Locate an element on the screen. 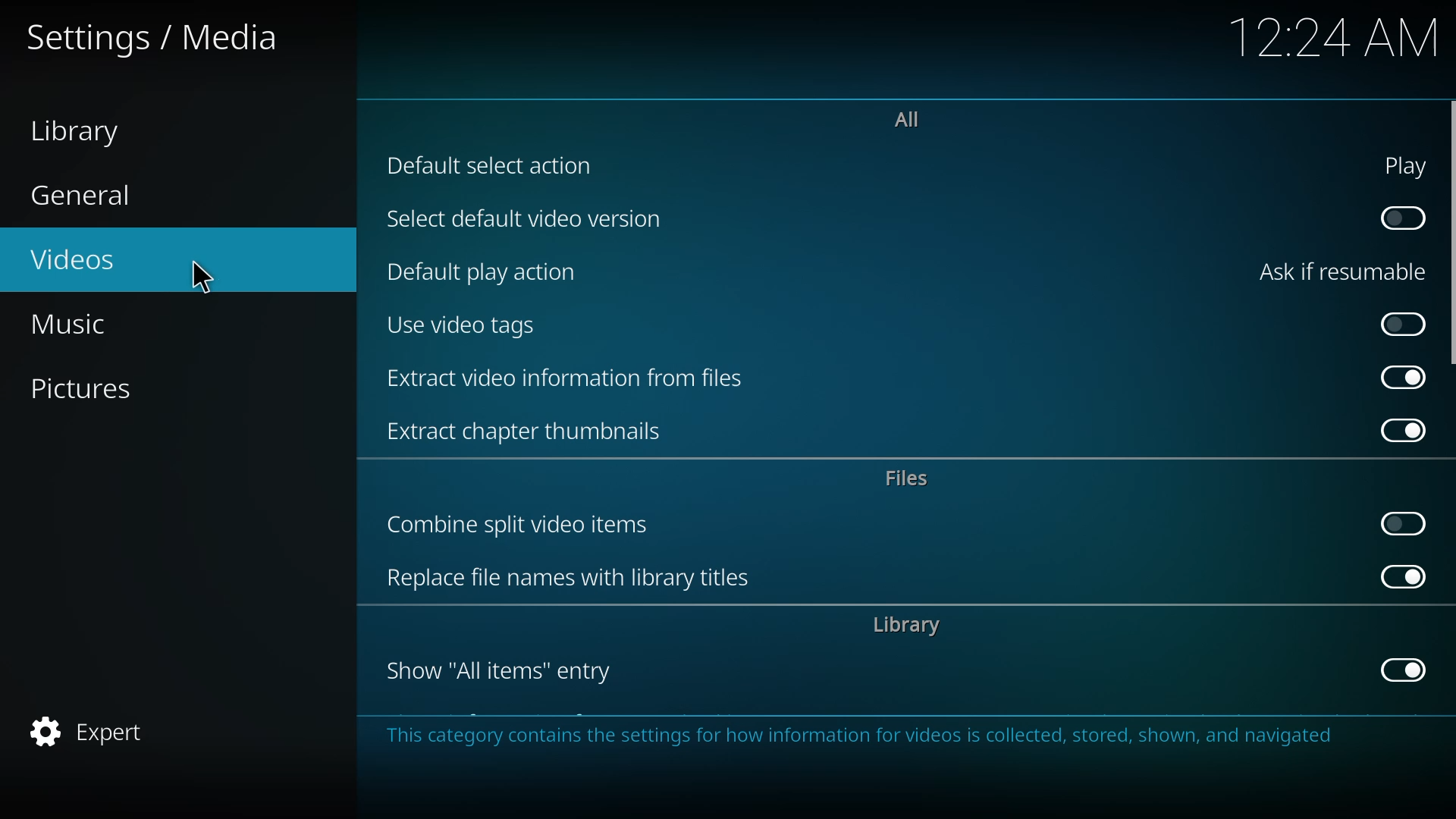 Image resolution: width=1456 pixels, height=819 pixels. show all items entry is located at coordinates (498, 672).